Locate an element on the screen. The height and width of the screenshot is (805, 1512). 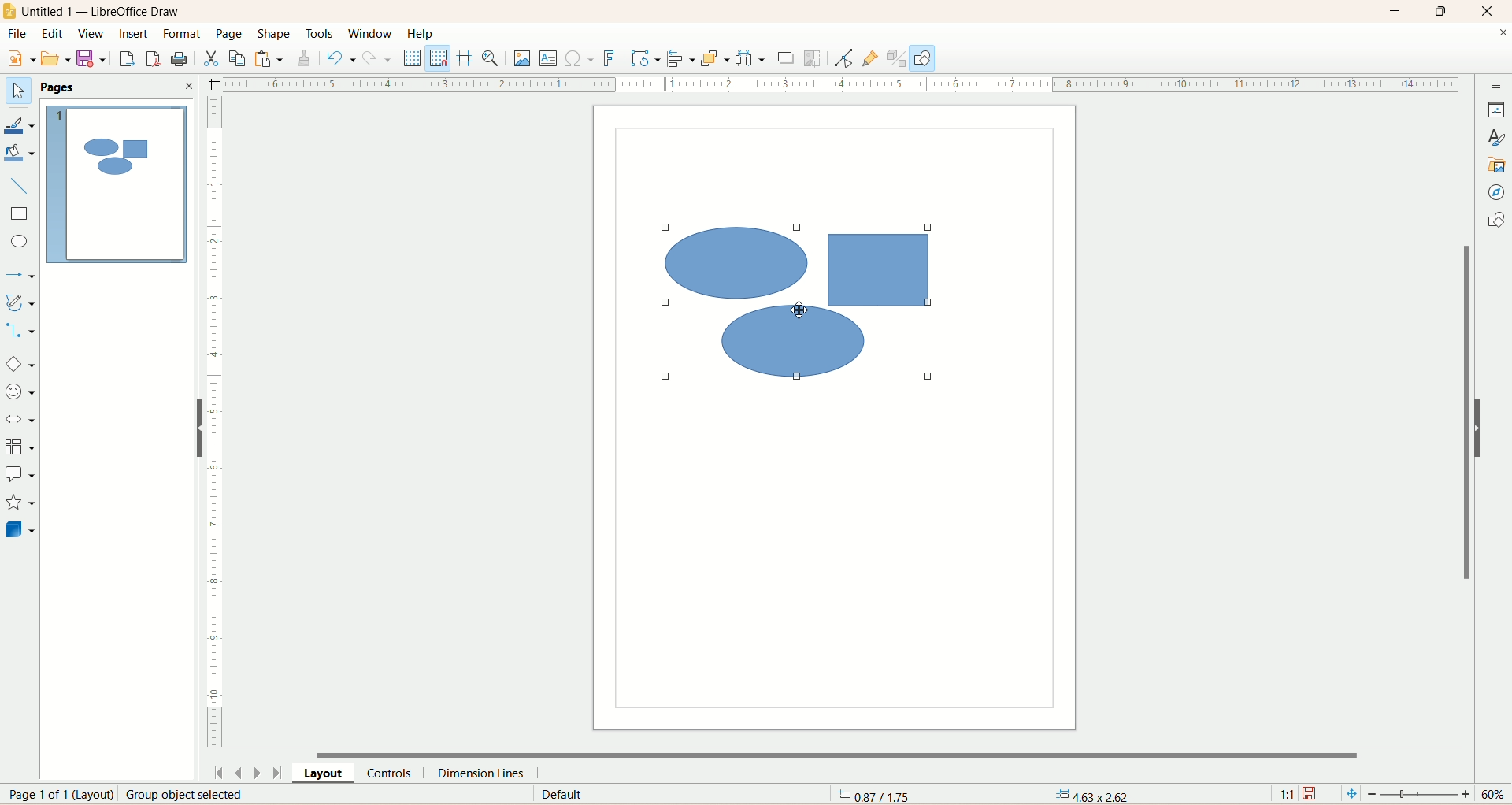
insert text box is located at coordinates (550, 60).